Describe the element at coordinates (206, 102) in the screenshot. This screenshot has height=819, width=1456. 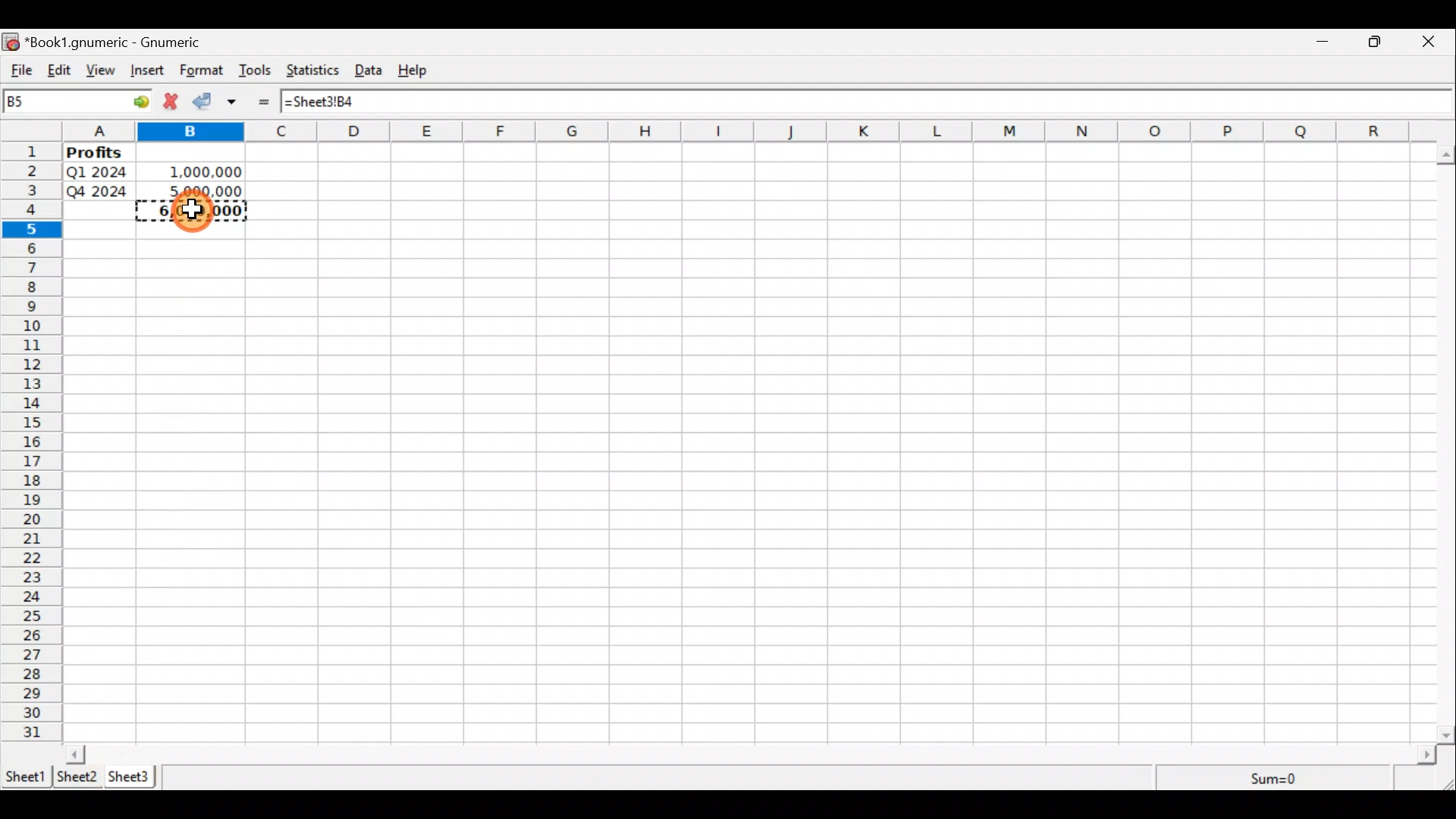
I see `Accept change` at that location.